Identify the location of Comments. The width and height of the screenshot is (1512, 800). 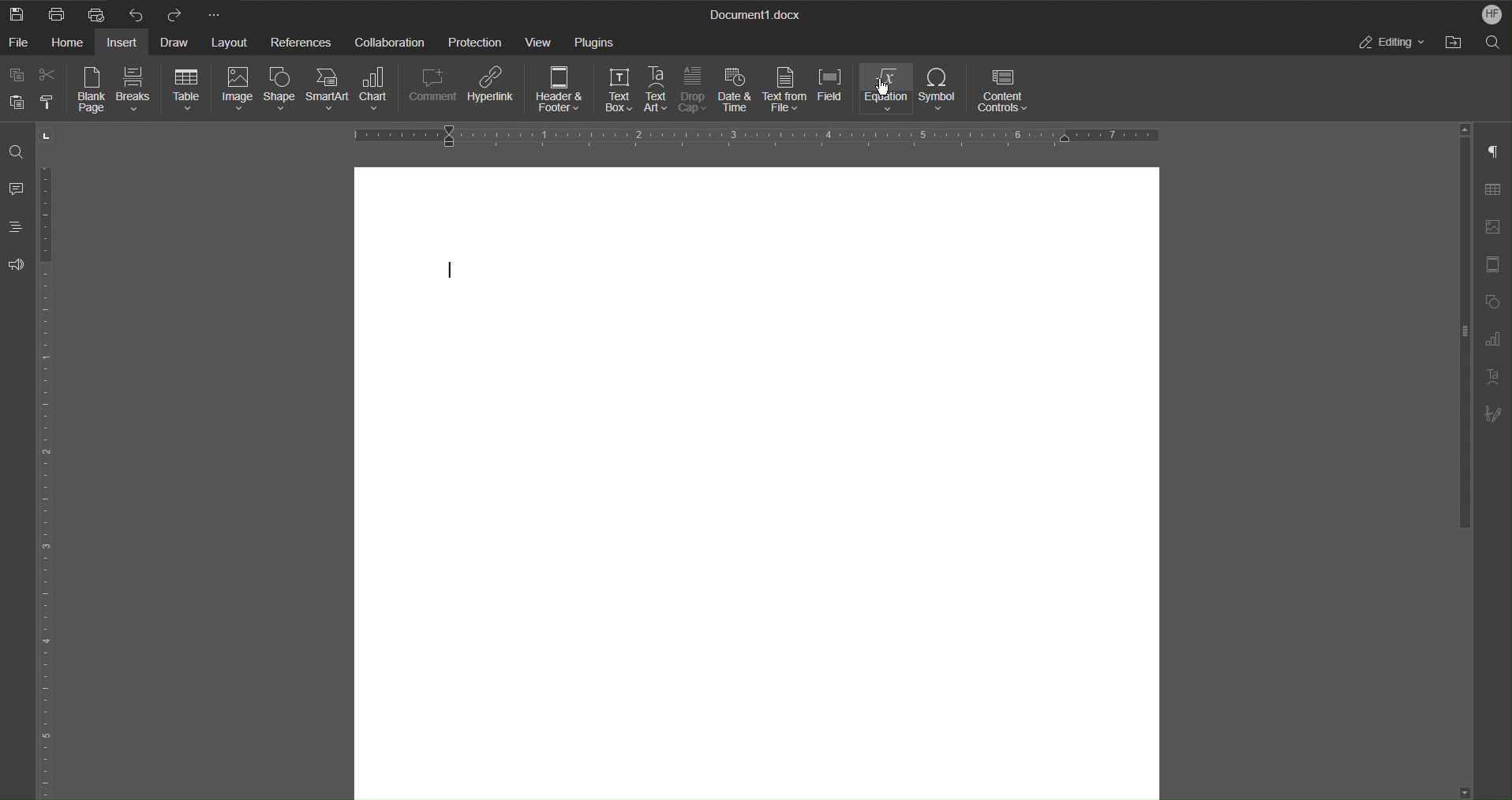
(14, 194).